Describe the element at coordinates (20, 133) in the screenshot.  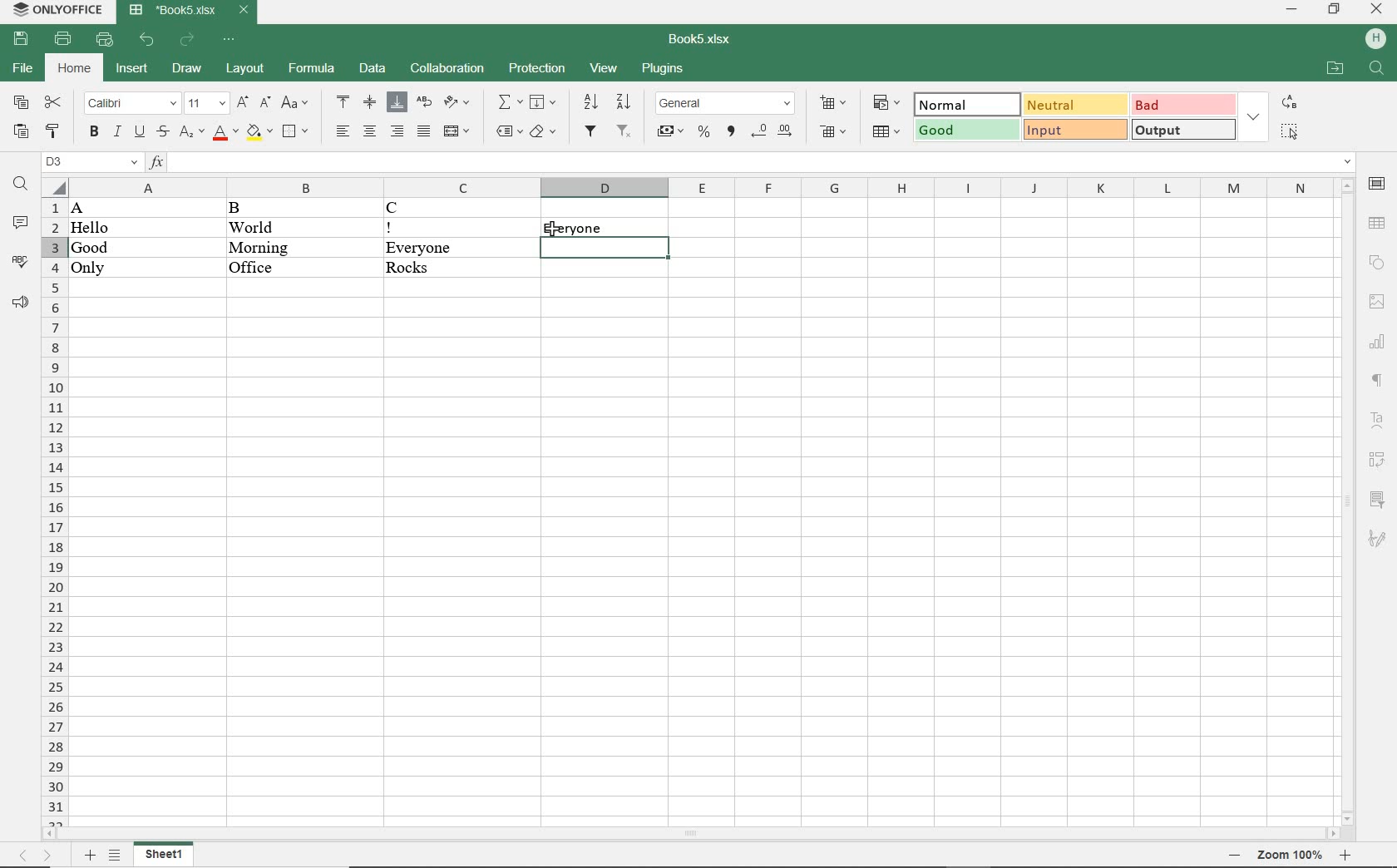
I see `paste` at that location.